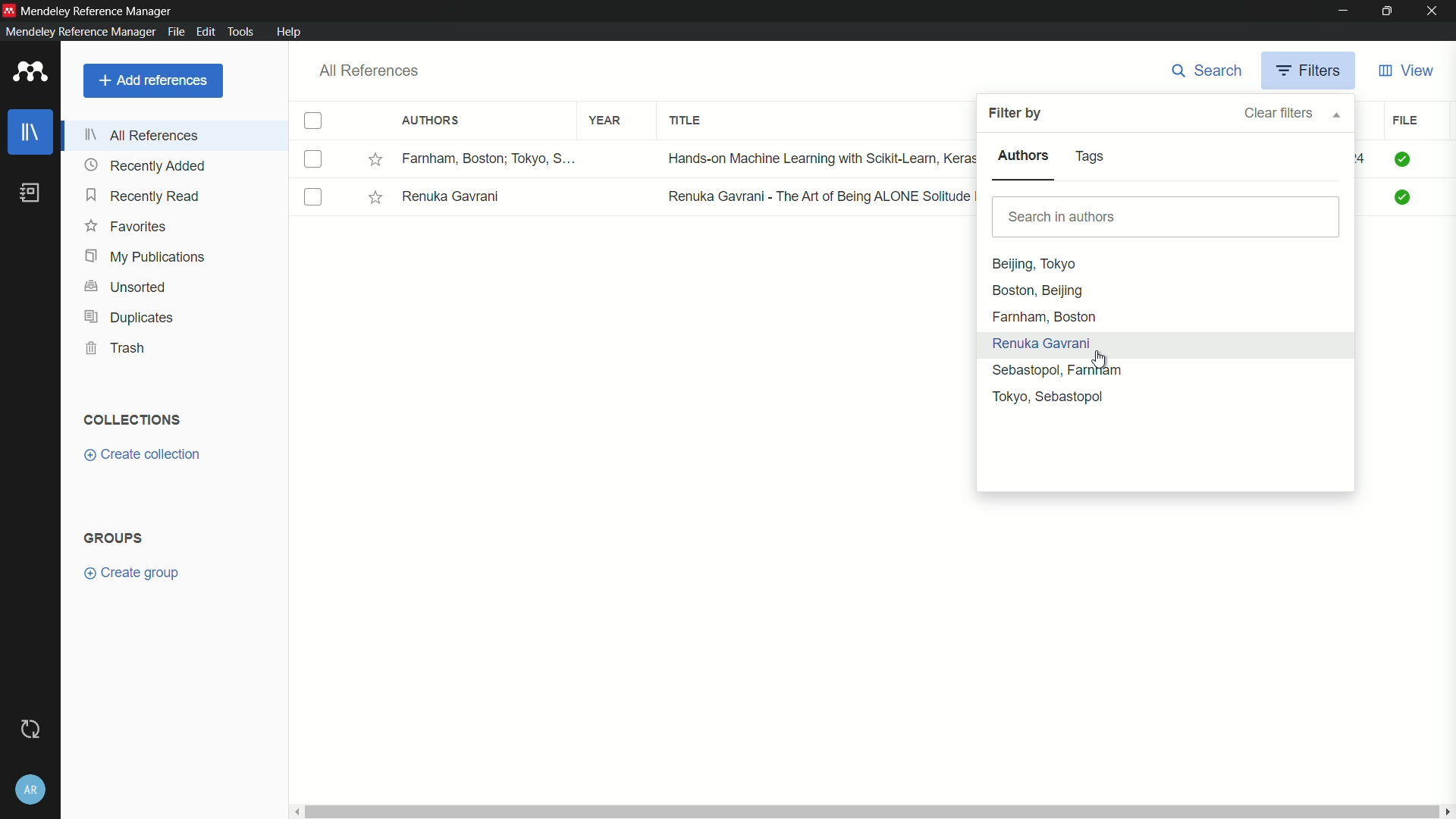 This screenshot has width=1456, height=819. I want to click on groups, so click(113, 538).